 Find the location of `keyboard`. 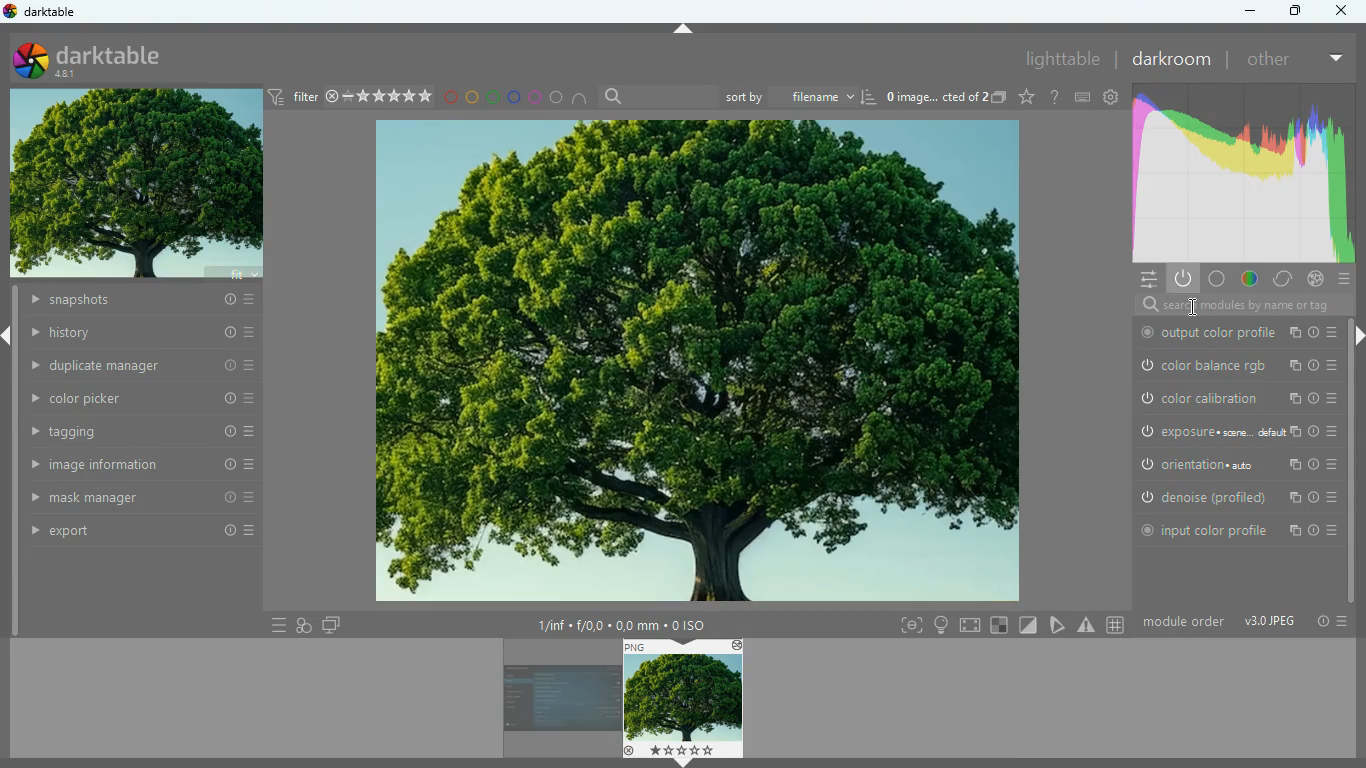

keyboard is located at coordinates (1082, 98).